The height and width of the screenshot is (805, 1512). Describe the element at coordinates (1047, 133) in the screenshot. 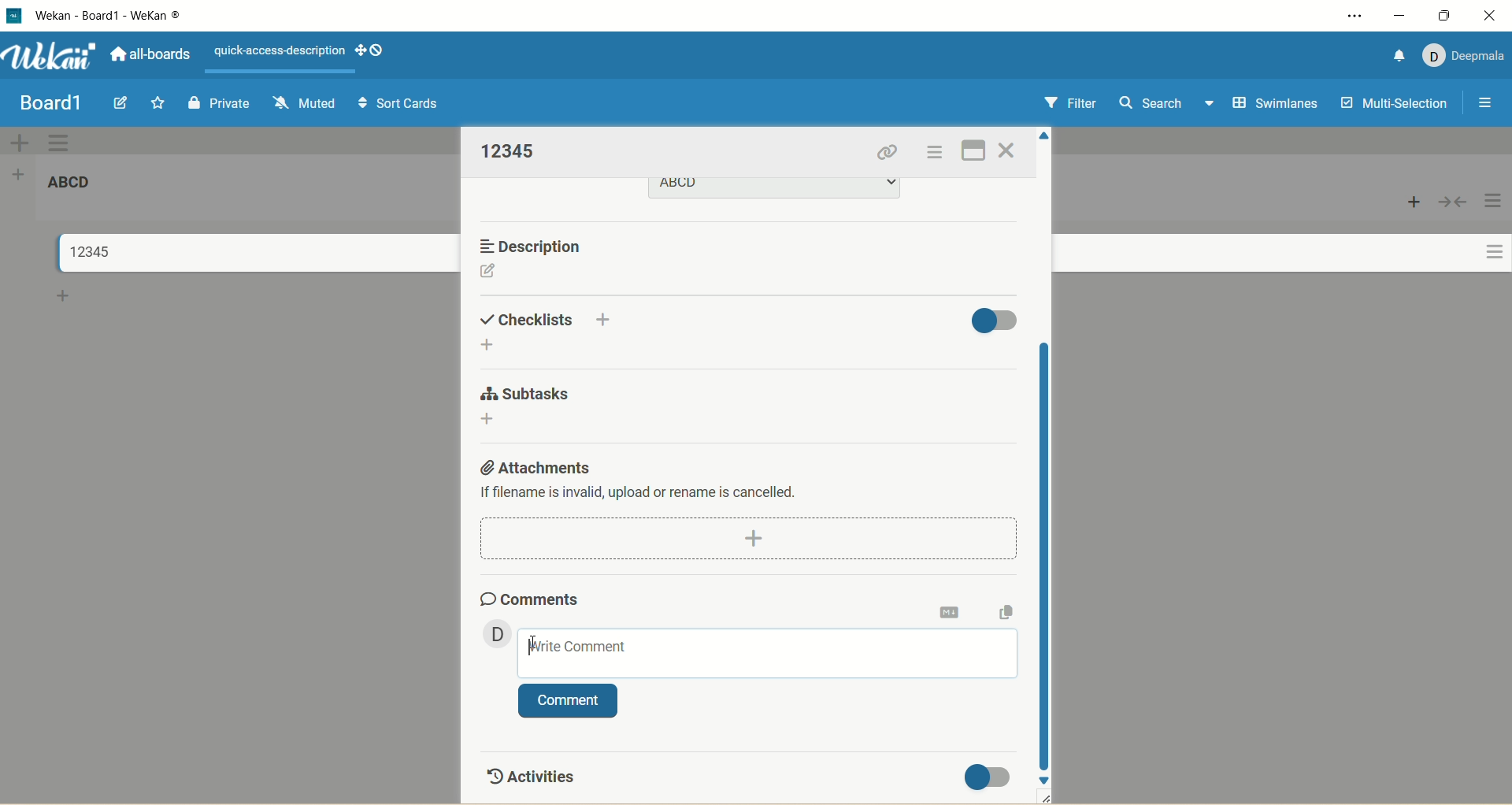

I see `click to scroll up` at that location.